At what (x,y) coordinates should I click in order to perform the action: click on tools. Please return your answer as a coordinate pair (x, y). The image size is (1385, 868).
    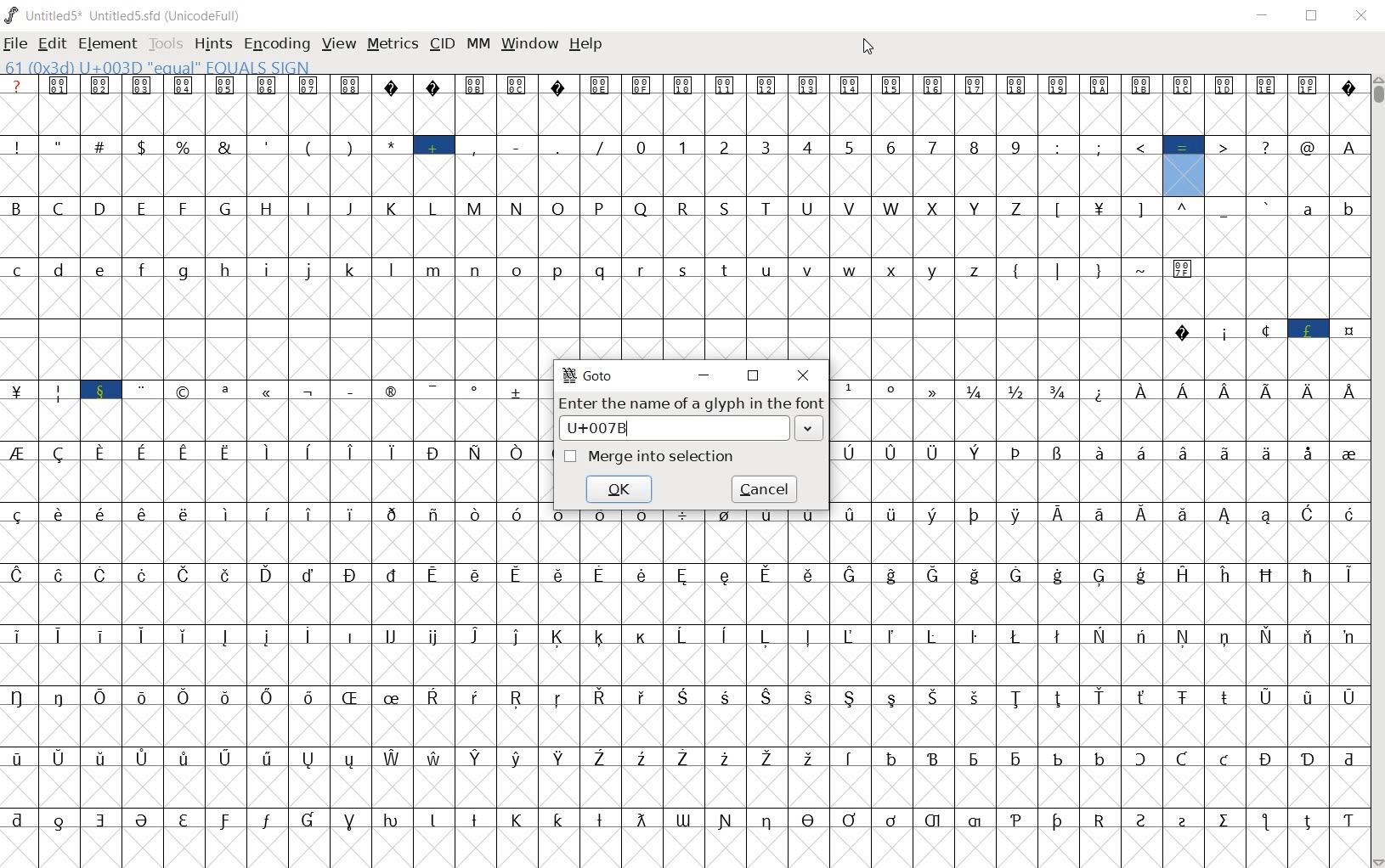
    Looking at the image, I should click on (166, 45).